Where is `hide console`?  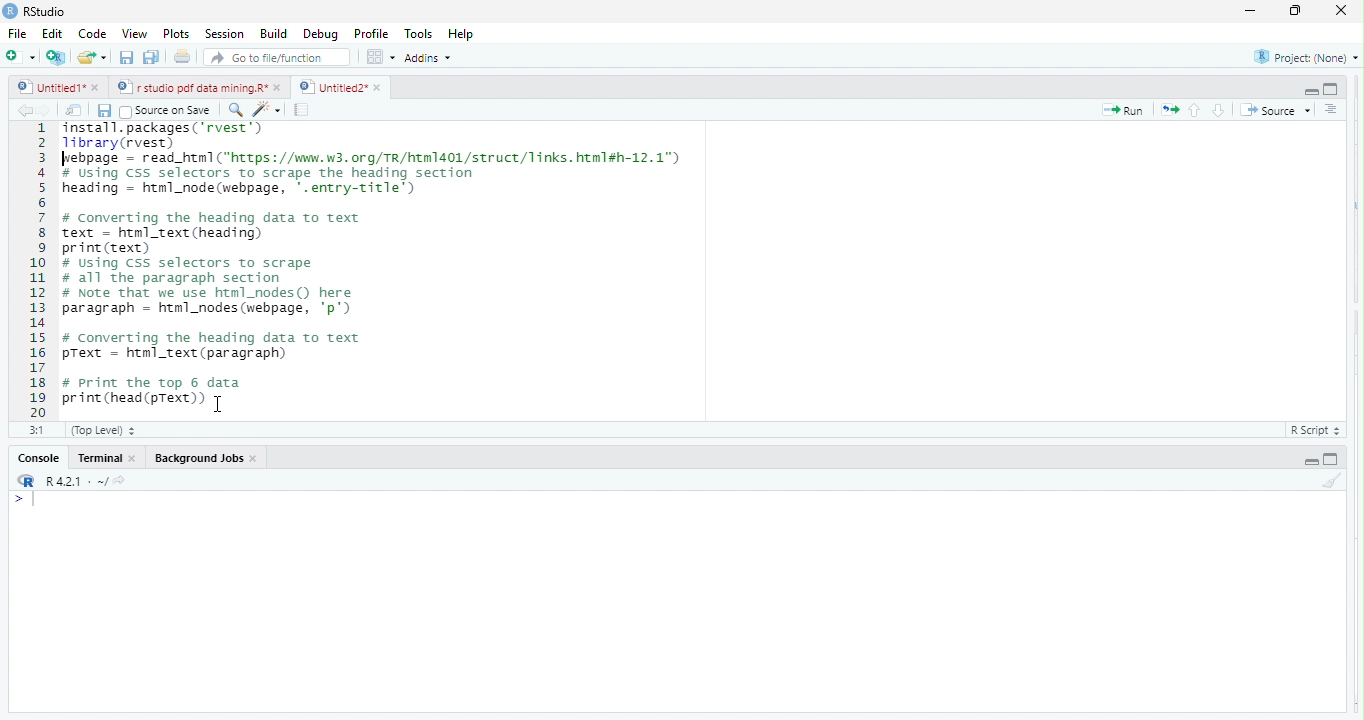 hide console is located at coordinates (1331, 87).